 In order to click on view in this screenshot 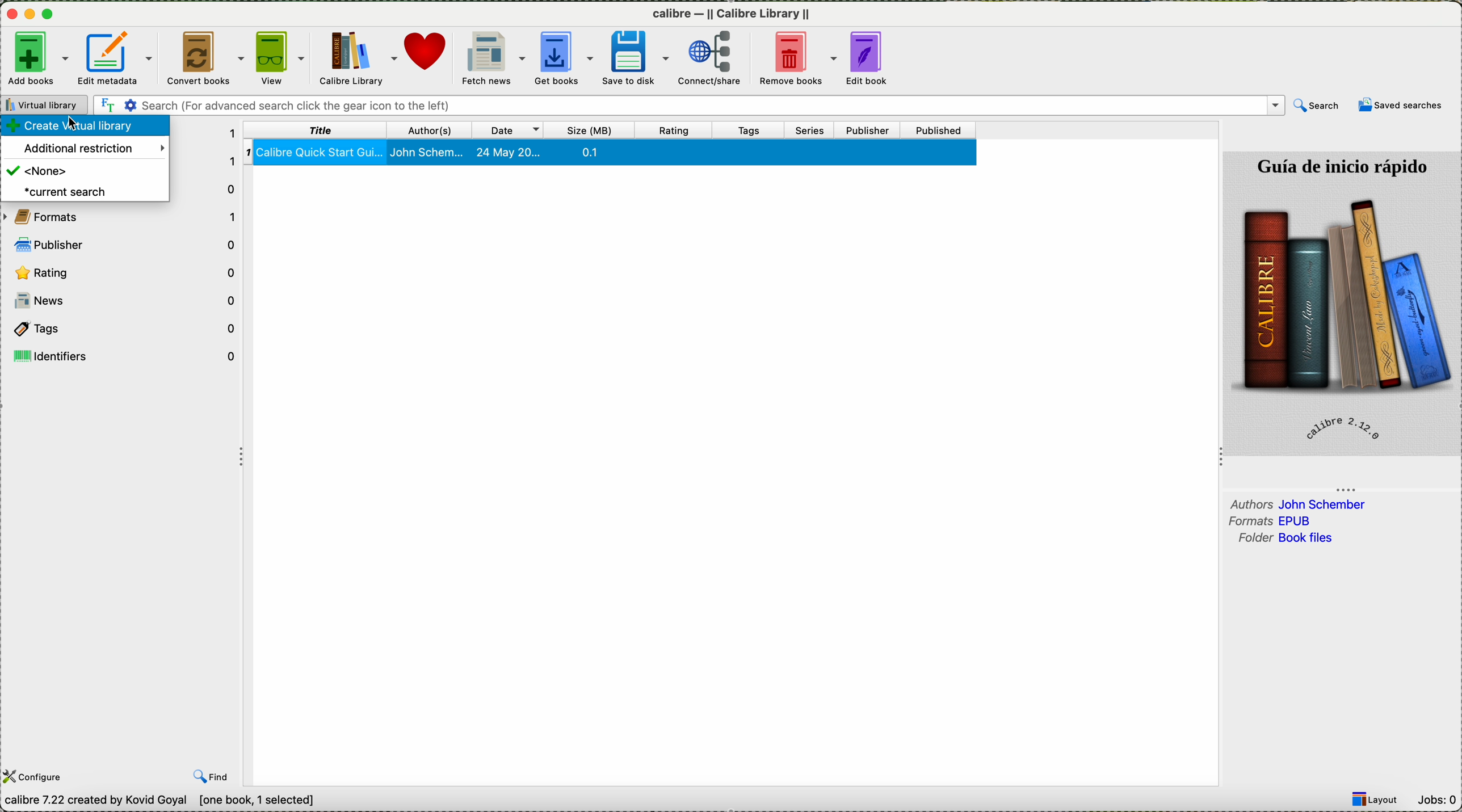, I will do `click(282, 59)`.